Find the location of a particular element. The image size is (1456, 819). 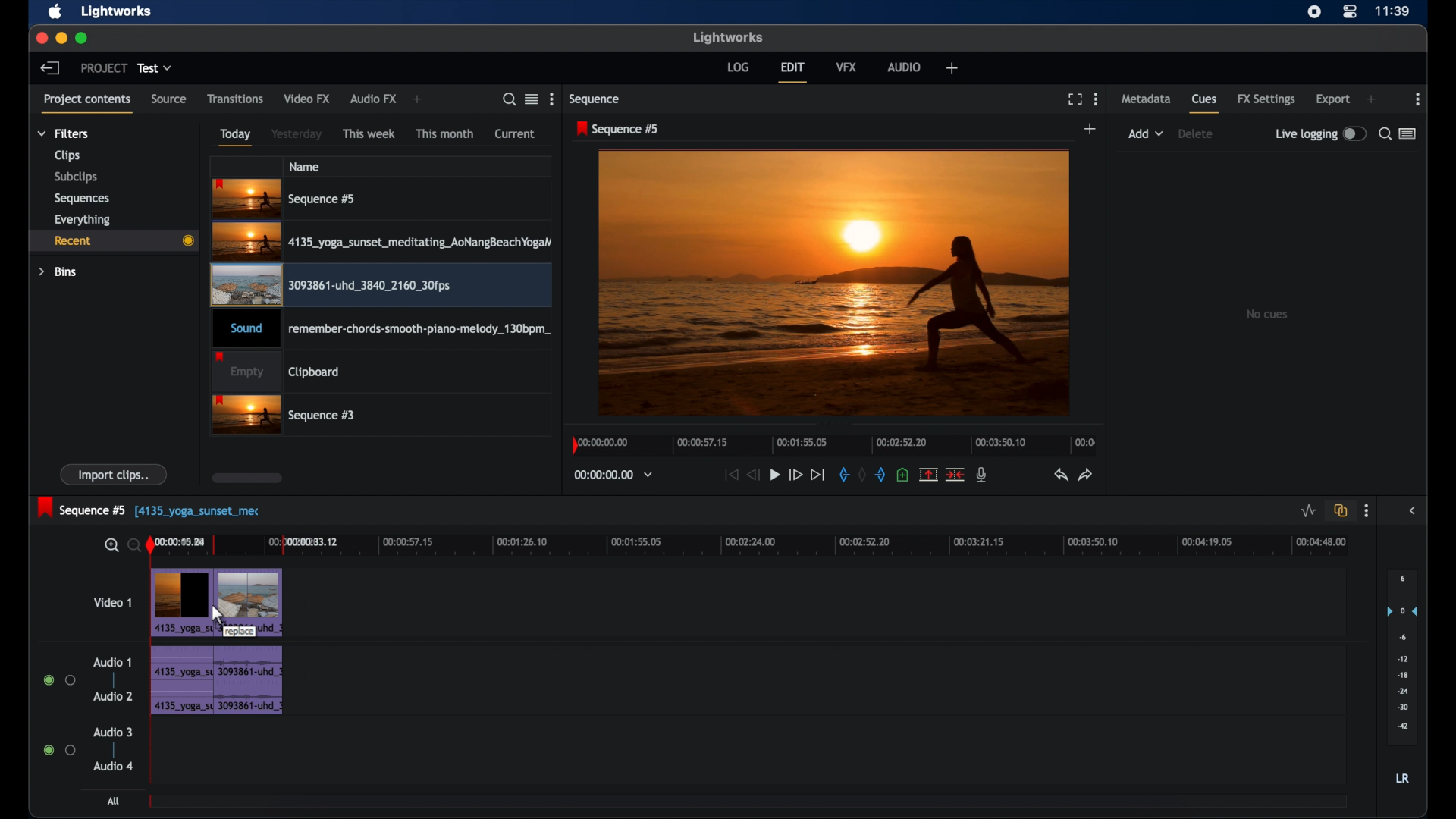

close is located at coordinates (41, 38).